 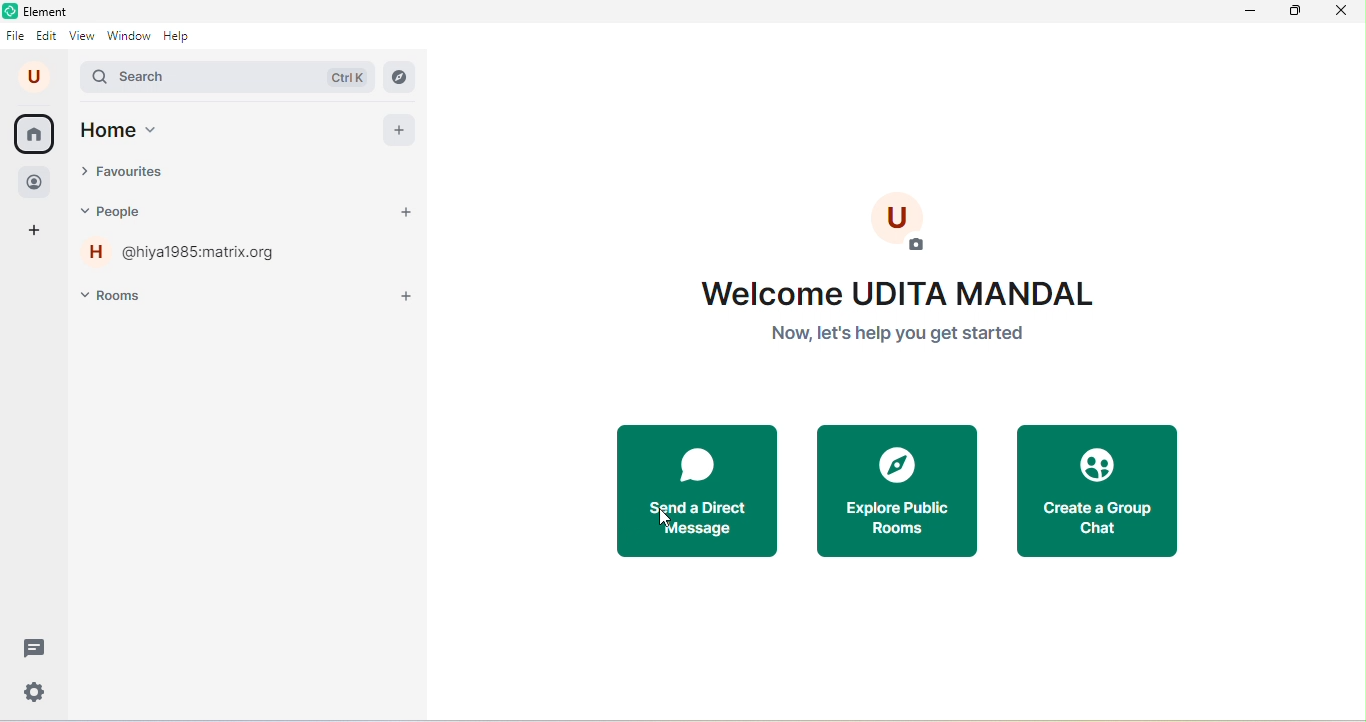 What do you see at coordinates (195, 257) in the screenshot?
I see `hiya1985 matrix .org` at bounding box center [195, 257].